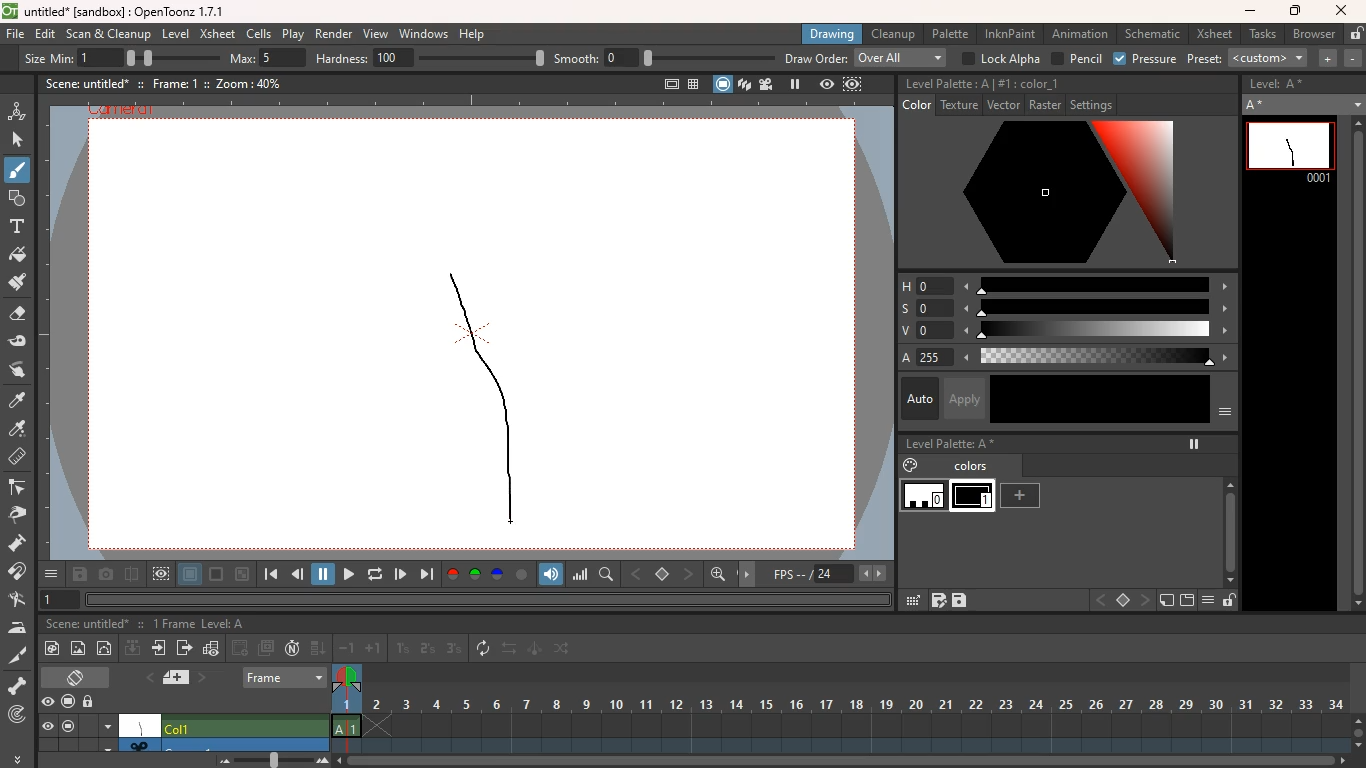 This screenshot has width=1366, height=768. What do you see at coordinates (916, 398) in the screenshot?
I see `auto` at bounding box center [916, 398].